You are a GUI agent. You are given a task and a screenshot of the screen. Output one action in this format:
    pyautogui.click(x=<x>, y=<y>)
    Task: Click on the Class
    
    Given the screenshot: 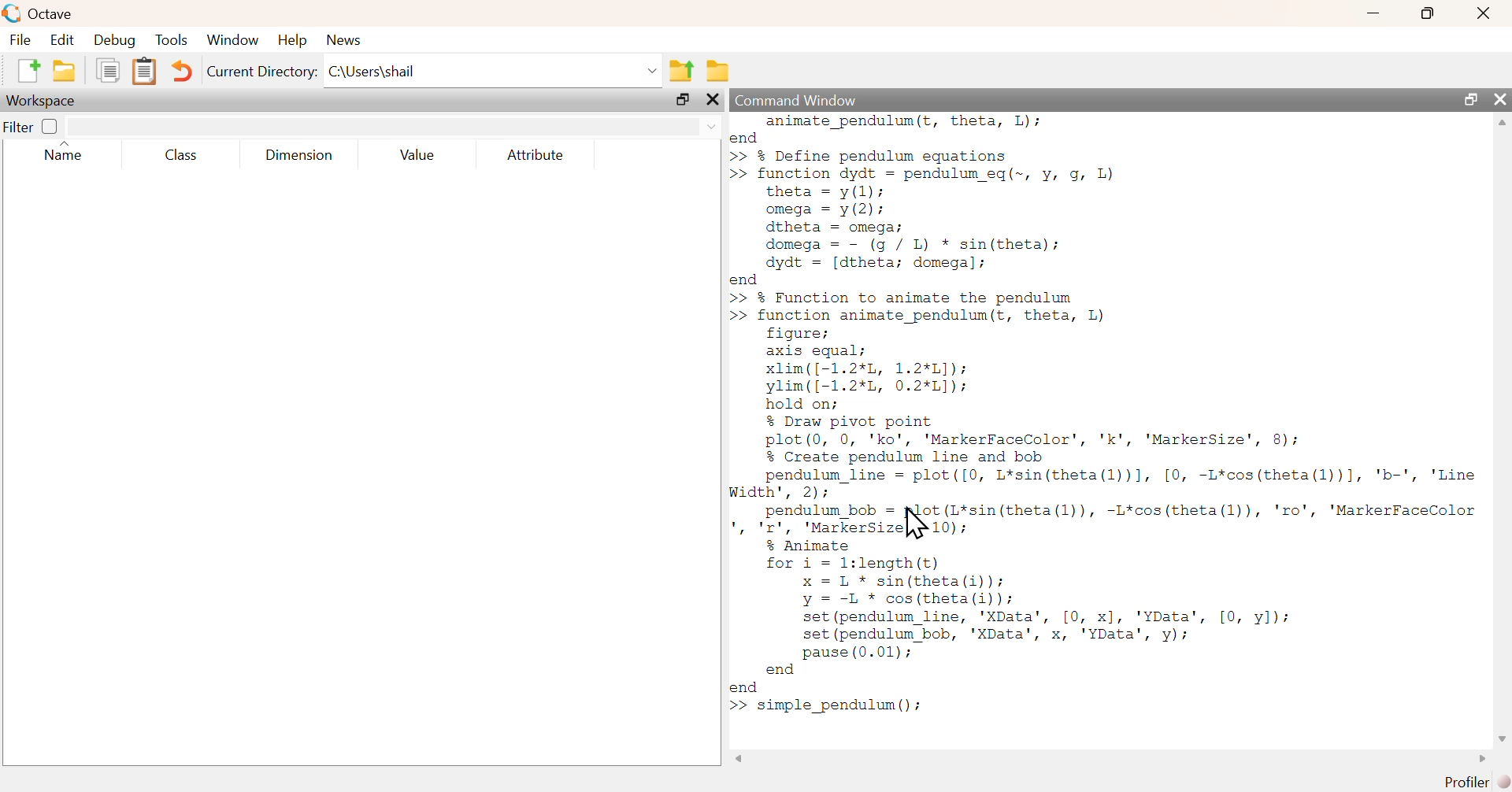 What is the action you would take?
    pyautogui.click(x=177, y=156)
    